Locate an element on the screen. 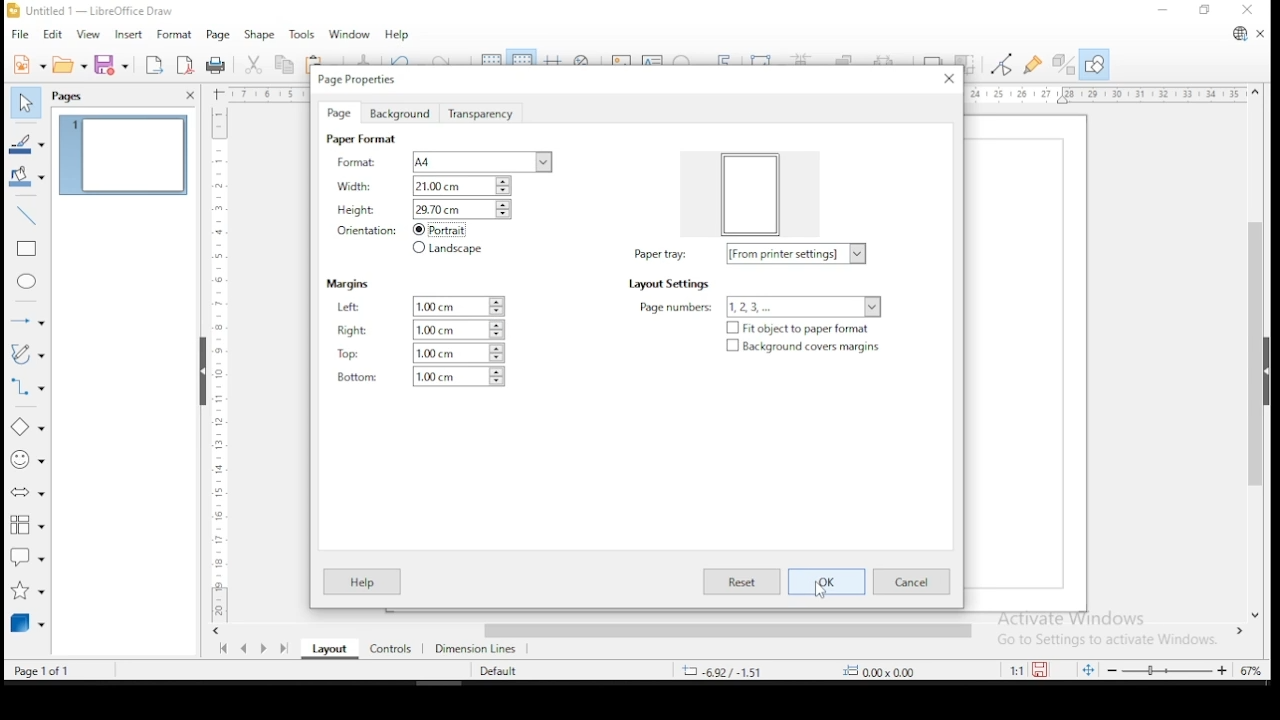  scale is located at coordinates (1105, 95).